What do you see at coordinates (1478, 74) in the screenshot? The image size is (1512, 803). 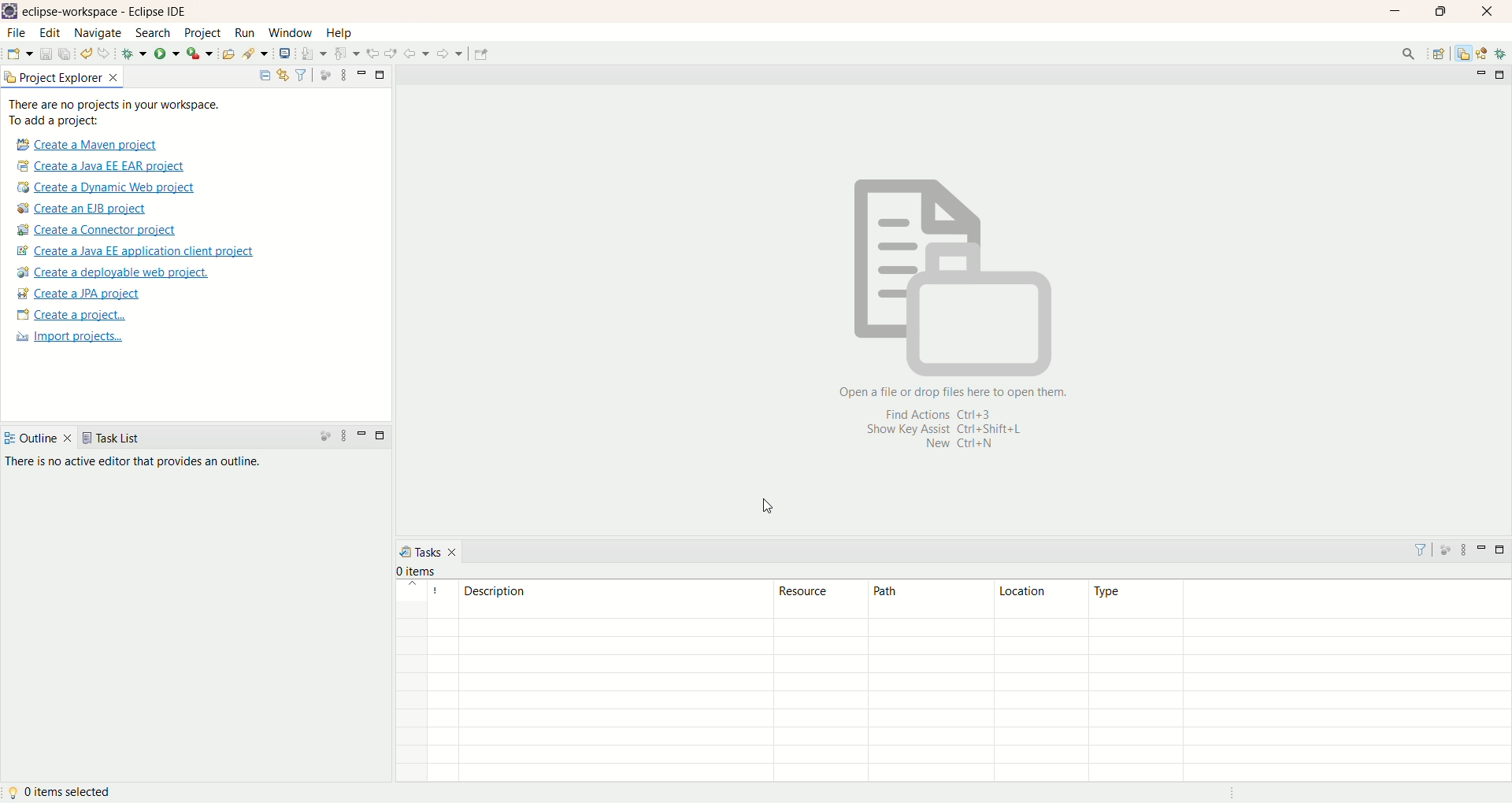 I see `minimize` at bounding box center [1478, 74].